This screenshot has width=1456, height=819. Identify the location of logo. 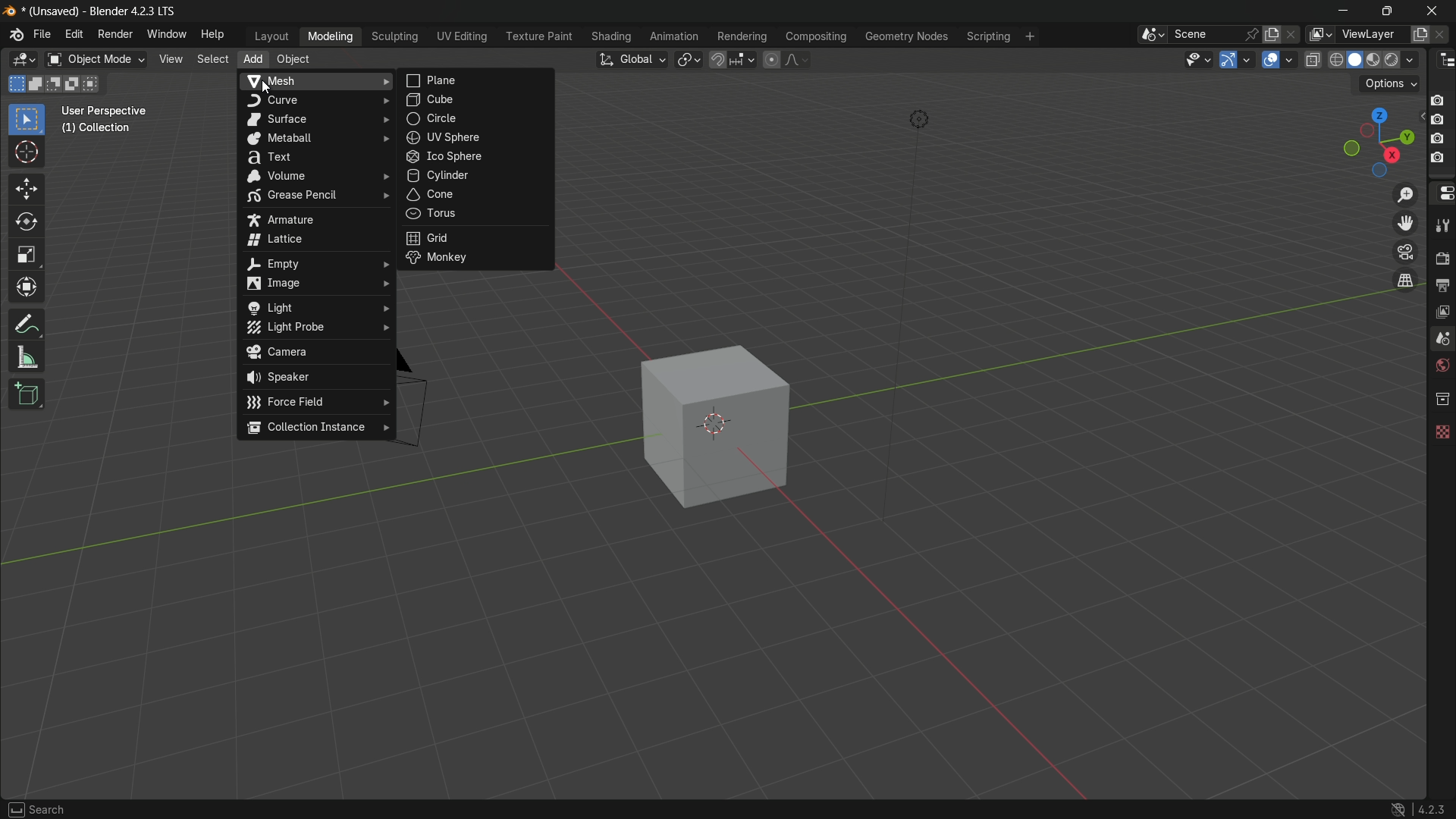
(14, 34).